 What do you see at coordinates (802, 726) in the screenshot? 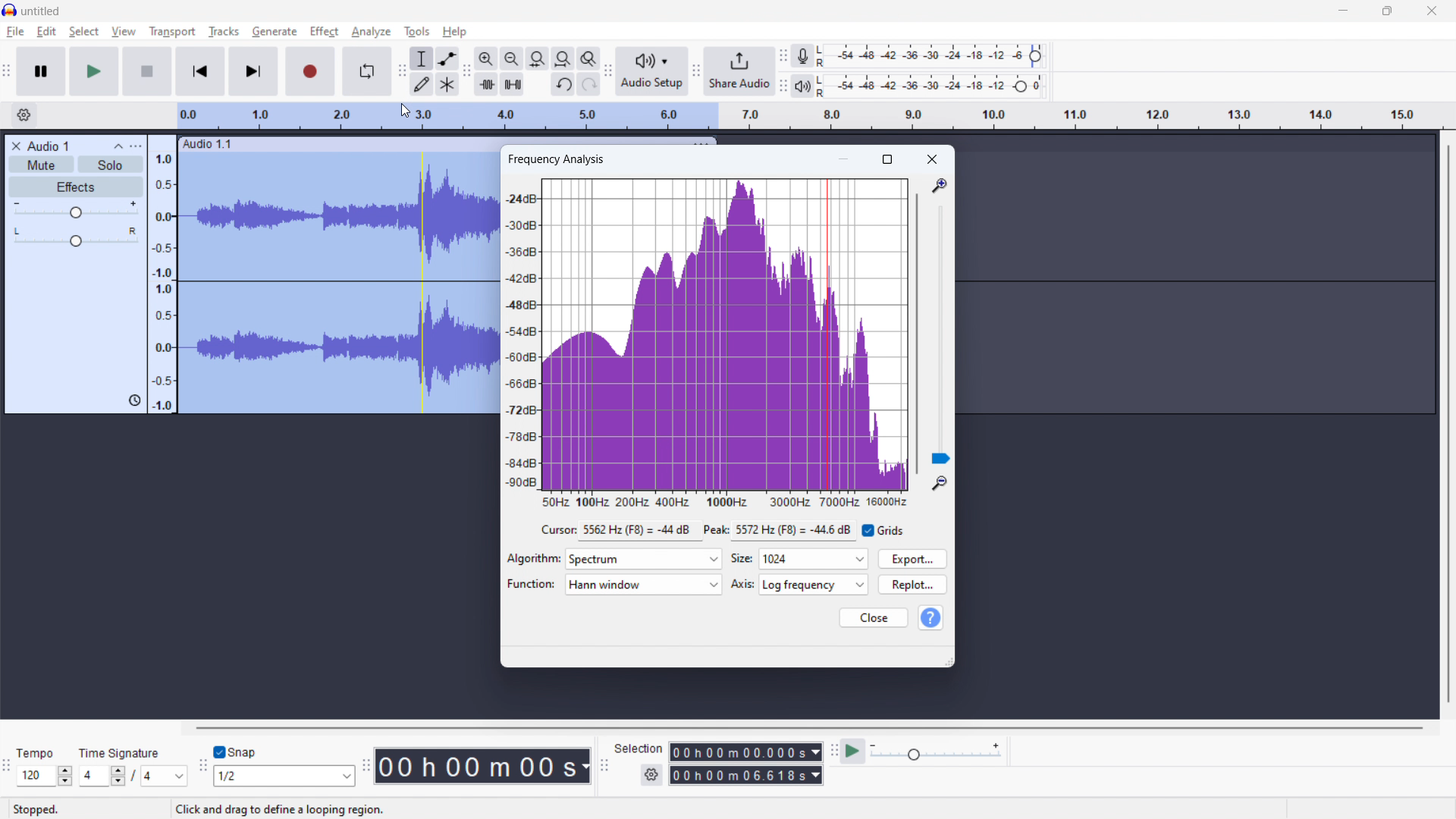
I see `Horizontal scroll bar` at bounding box center [802, 726].